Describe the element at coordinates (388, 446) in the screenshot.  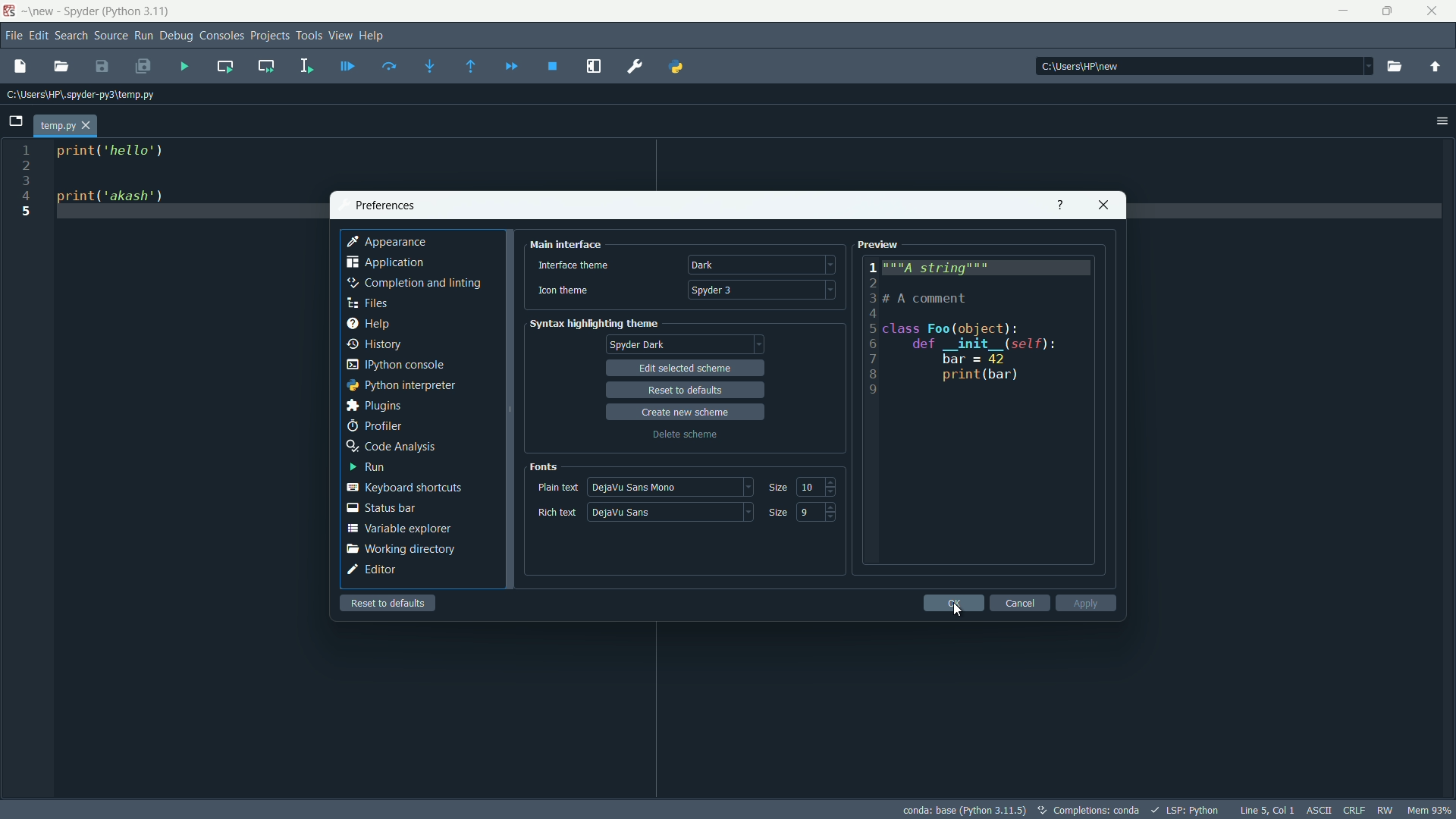
I see `code analysis` at that location.